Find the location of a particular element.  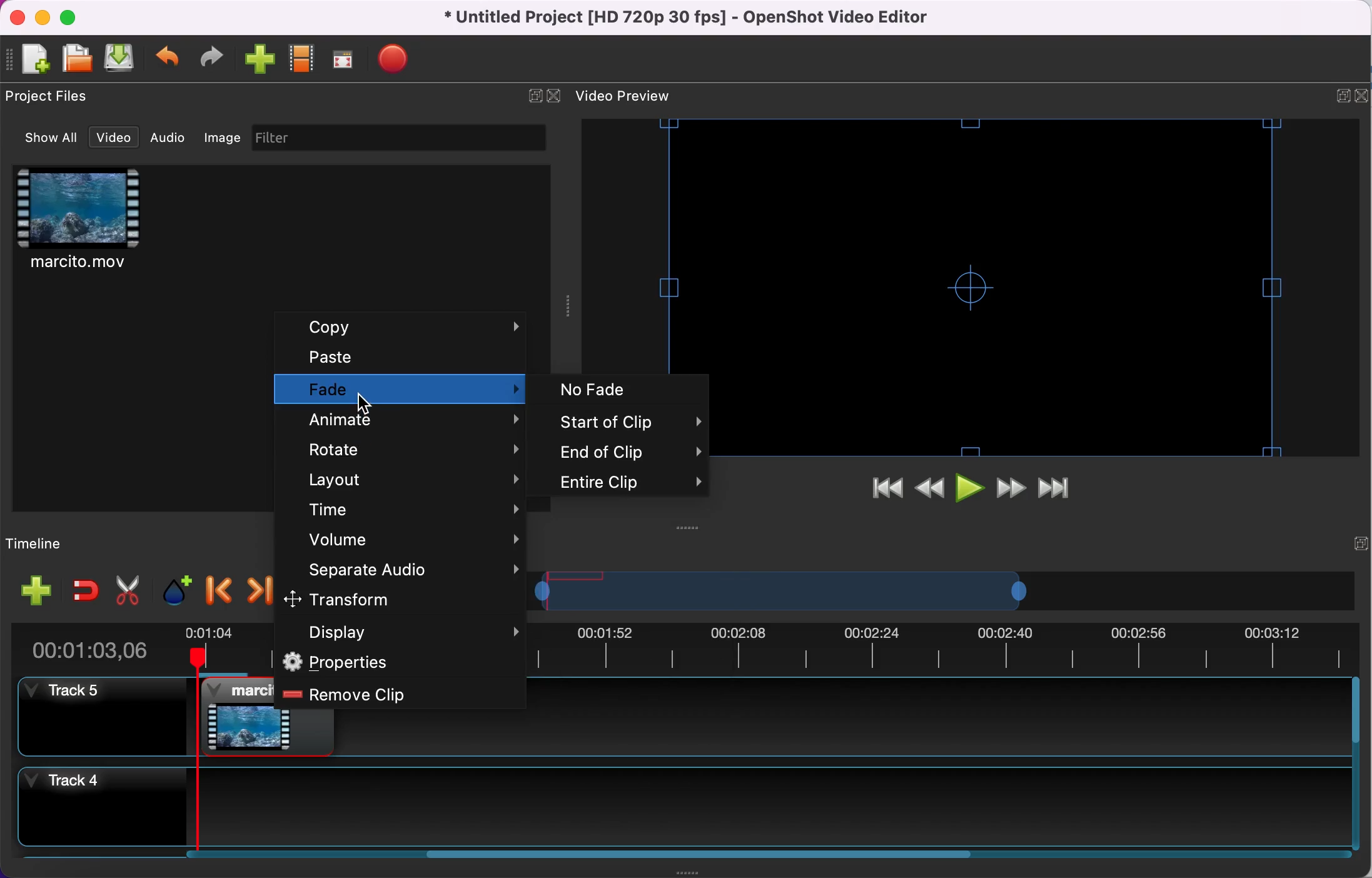

export file is located at coordinates (408, 59).